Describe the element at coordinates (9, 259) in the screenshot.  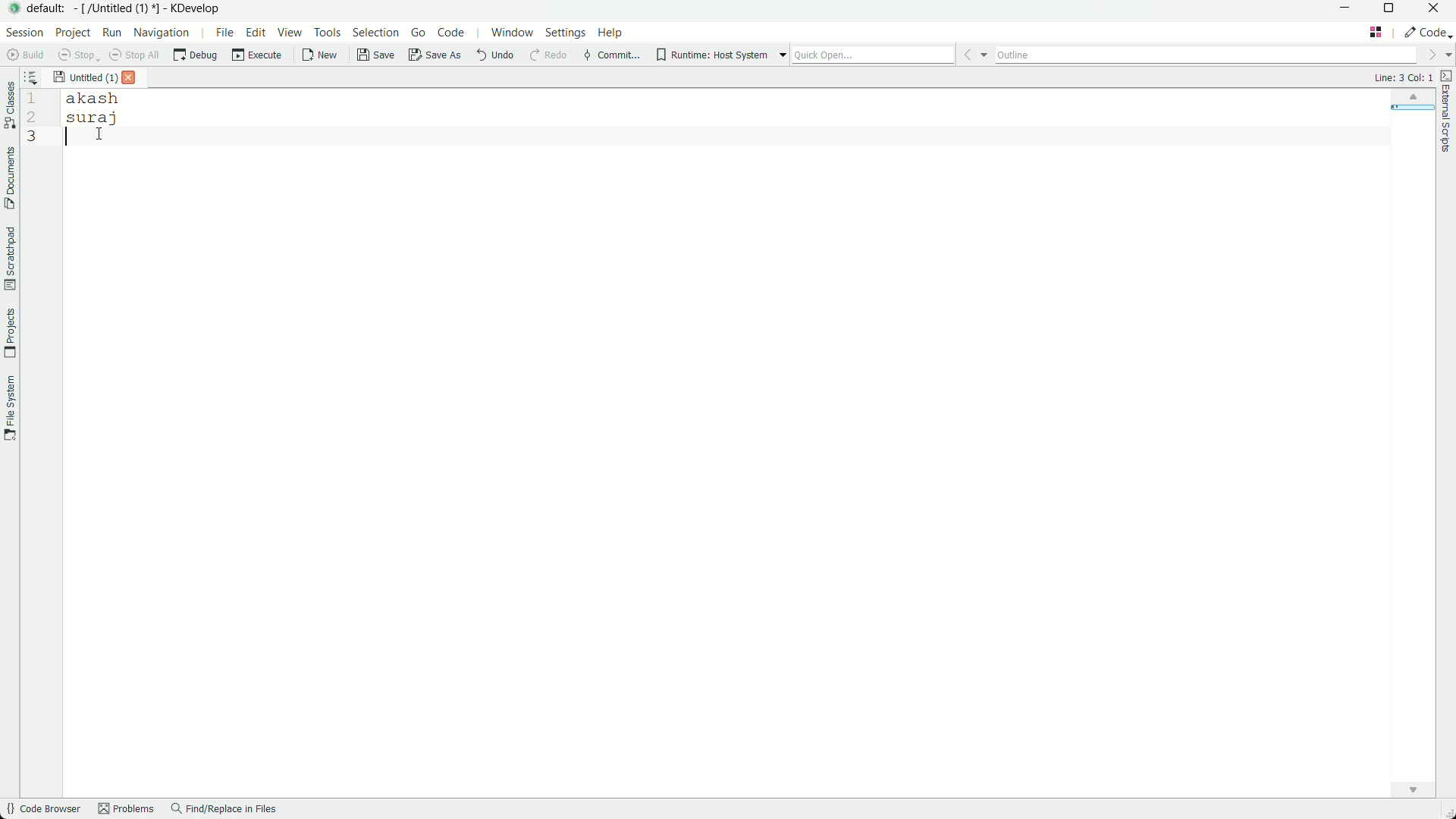
I see `scratchpad` at that location.